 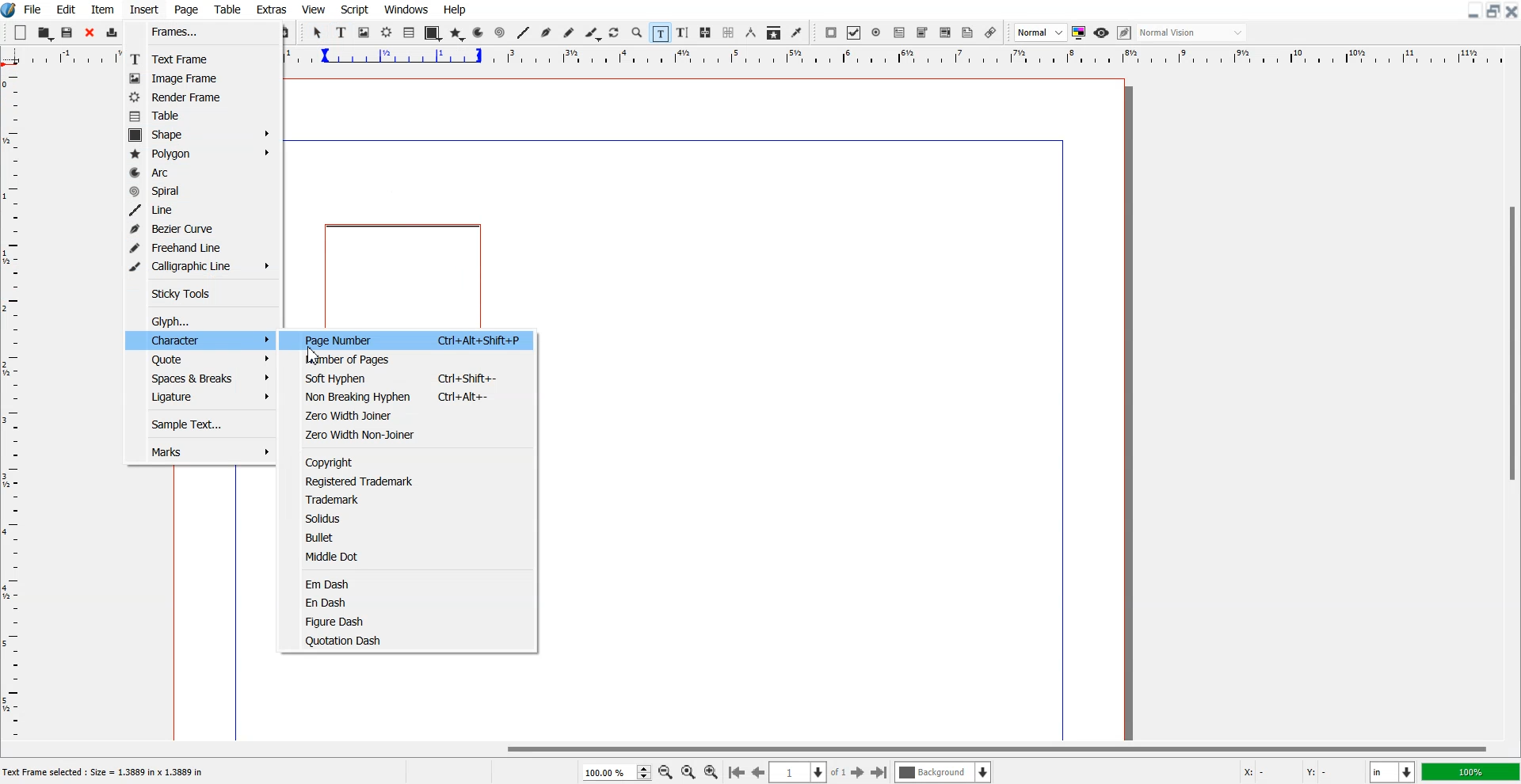 What do you see at coordinates (203, 134) in the screenshot?
I see `Shape` at bounding box center [203, 134].